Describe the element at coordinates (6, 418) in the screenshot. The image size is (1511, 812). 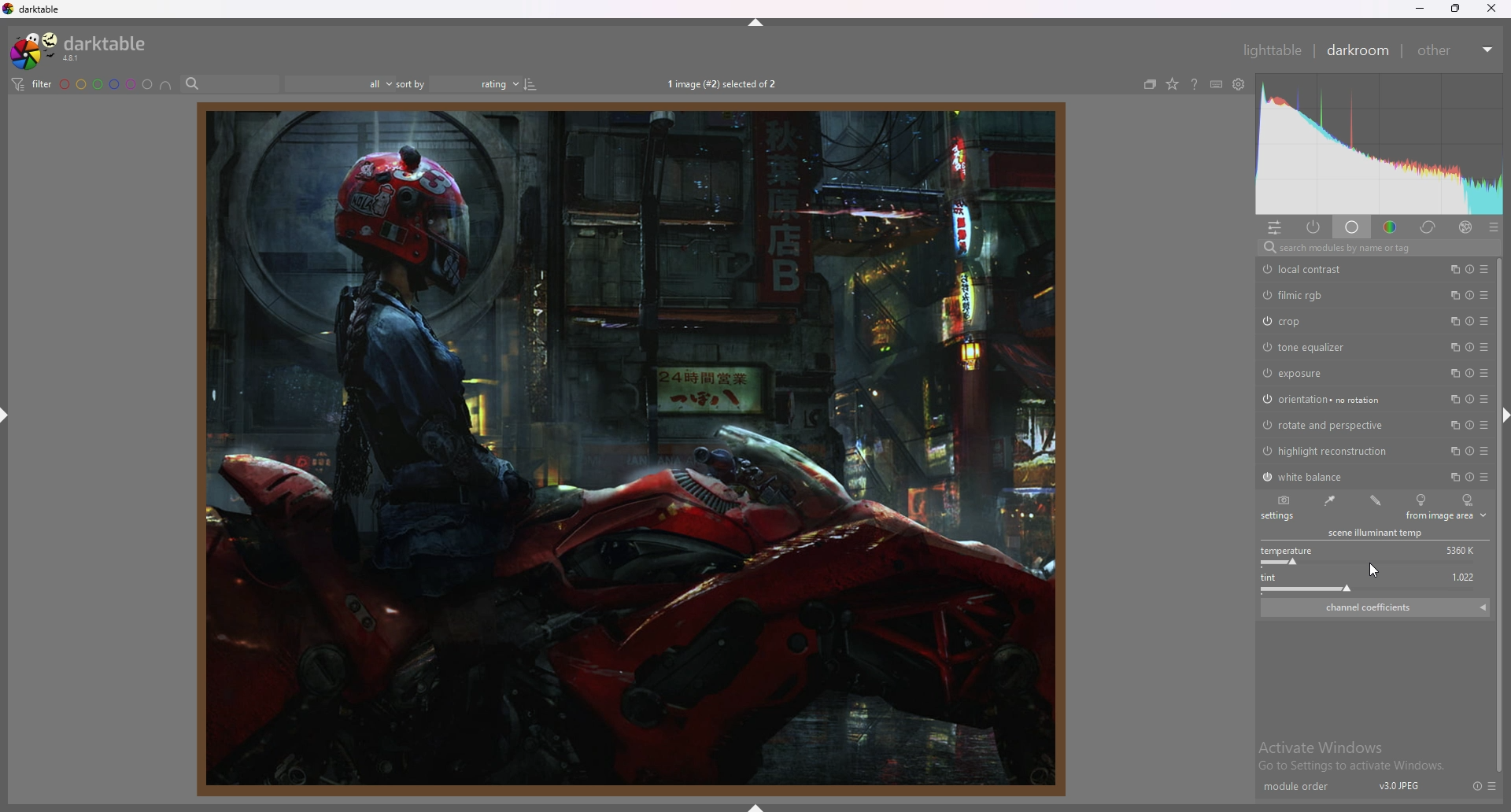
I see `hide` at that location.